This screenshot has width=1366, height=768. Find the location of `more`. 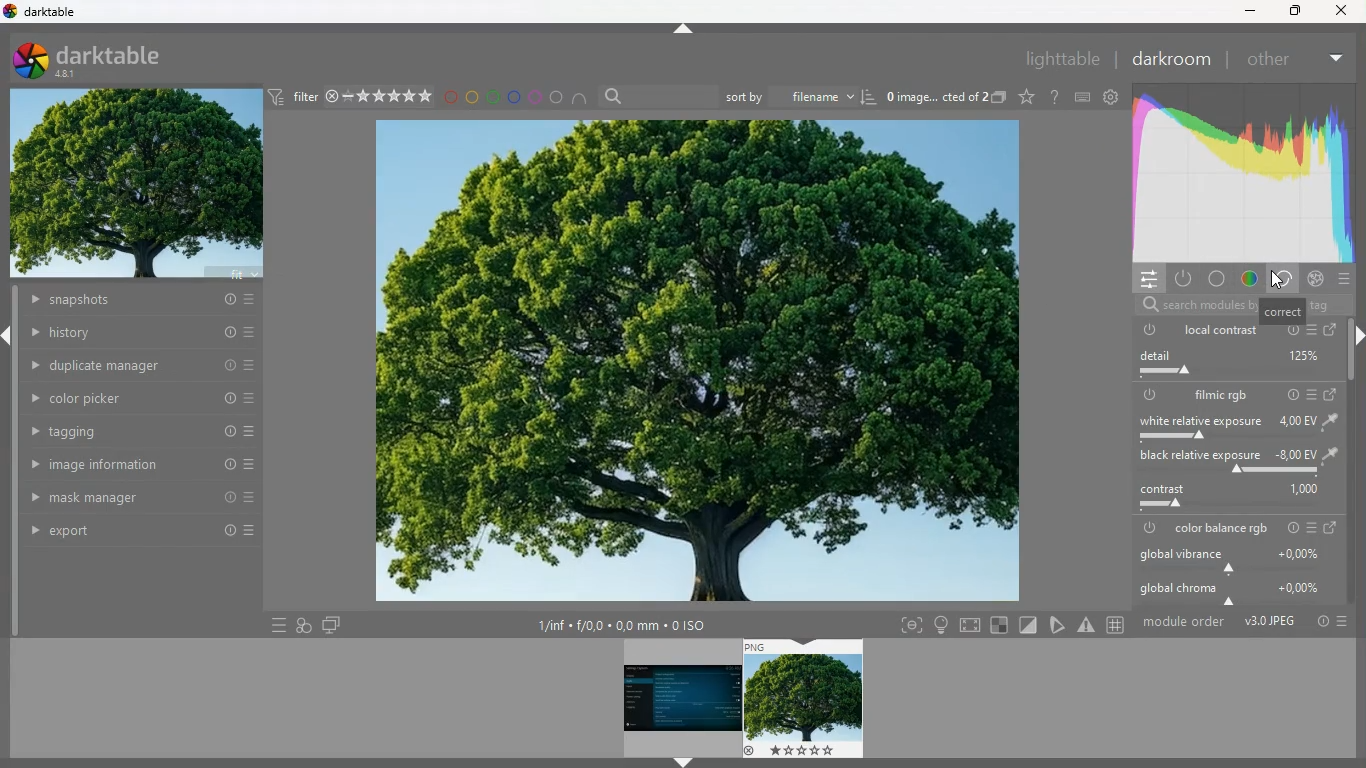

more is located at coordinates (1338, 55).